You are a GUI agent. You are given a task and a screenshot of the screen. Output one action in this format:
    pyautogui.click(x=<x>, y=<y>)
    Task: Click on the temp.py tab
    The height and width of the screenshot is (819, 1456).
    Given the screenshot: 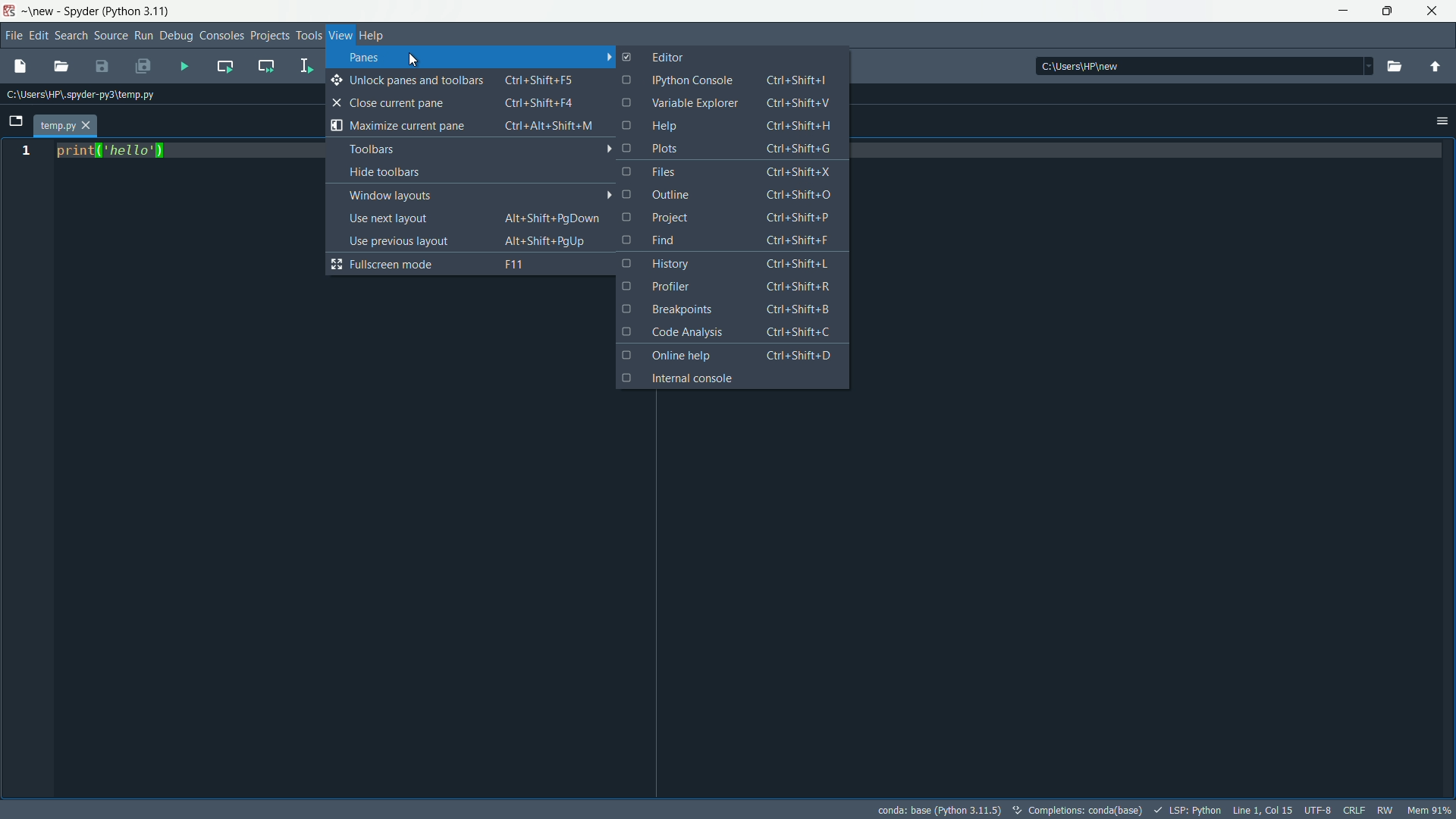 What is the action you would take?
    pyautogui.click(x=63, y=125)
    